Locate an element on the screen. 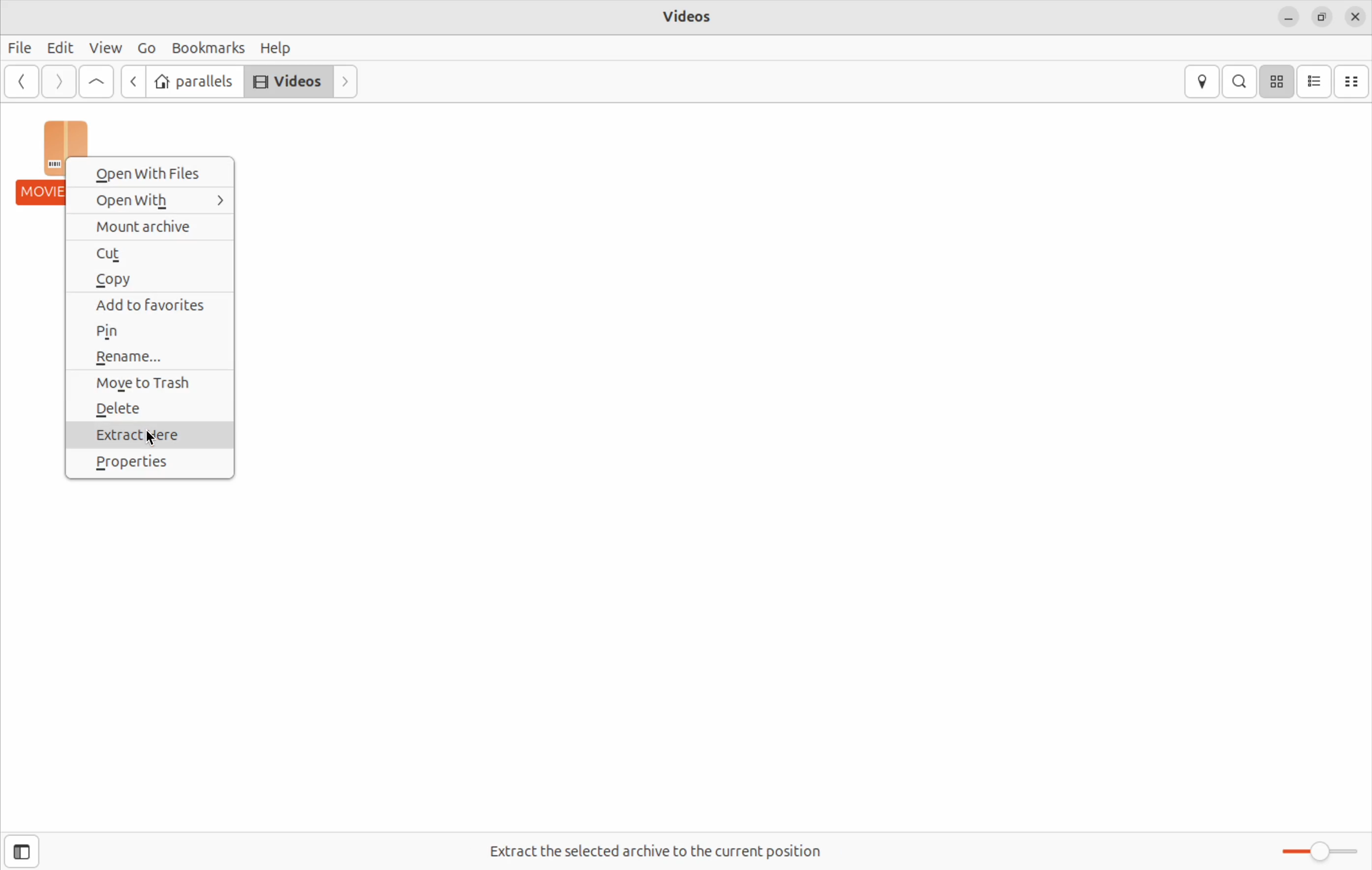 The image size is (1372, 870). location is located at coordinates (1203, 80).